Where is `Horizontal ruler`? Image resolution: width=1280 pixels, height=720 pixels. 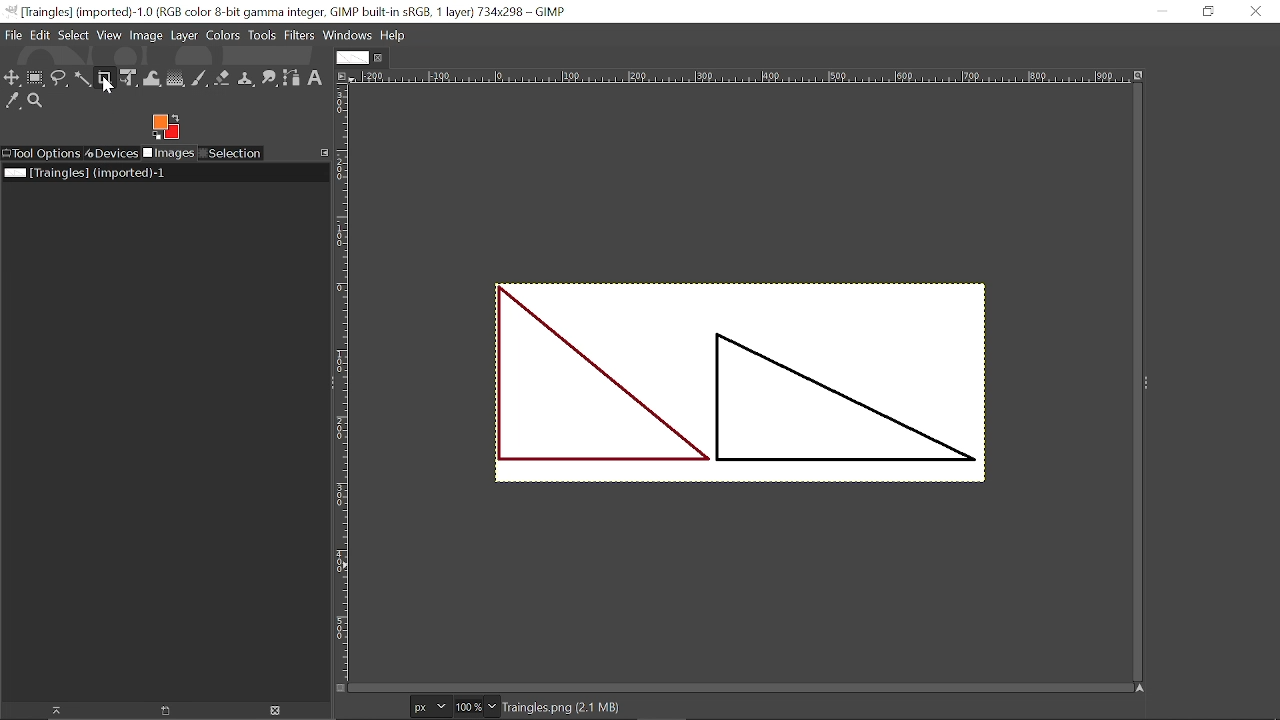 Horizontal ruler is located at coordinates (740, 77).